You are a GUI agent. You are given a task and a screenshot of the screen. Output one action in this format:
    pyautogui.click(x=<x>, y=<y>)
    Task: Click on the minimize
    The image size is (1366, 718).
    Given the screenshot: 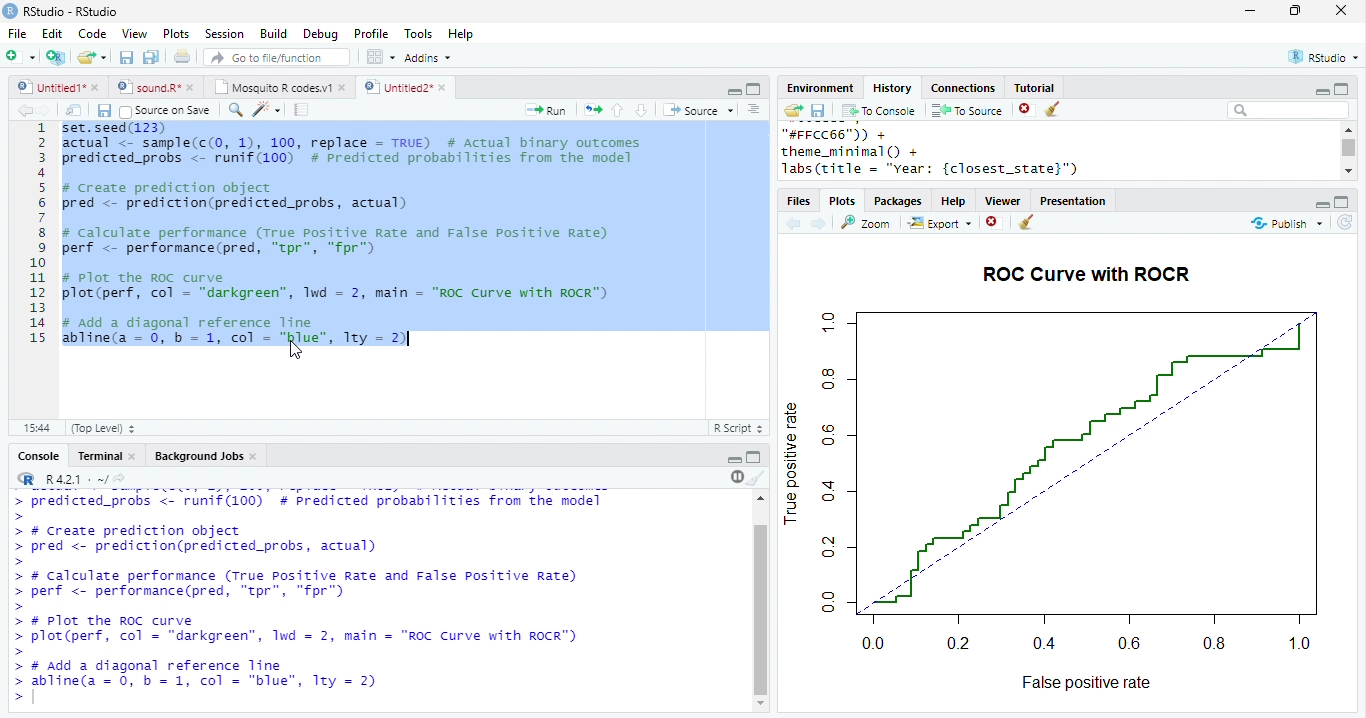 What is the action you would take?
    pyautogui.click(x=734, y=90)
    